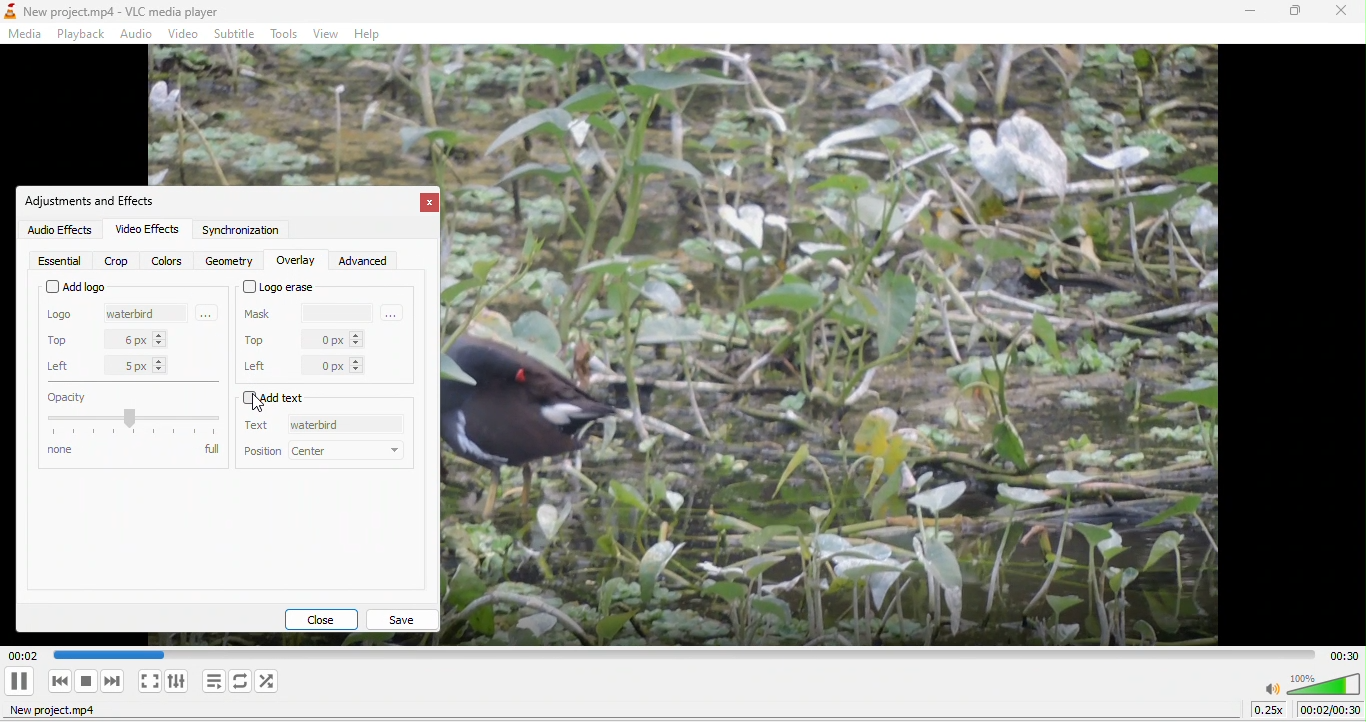 This screenshot has width=1366, height=722. I want to click on maximize, so click(1290, 14).